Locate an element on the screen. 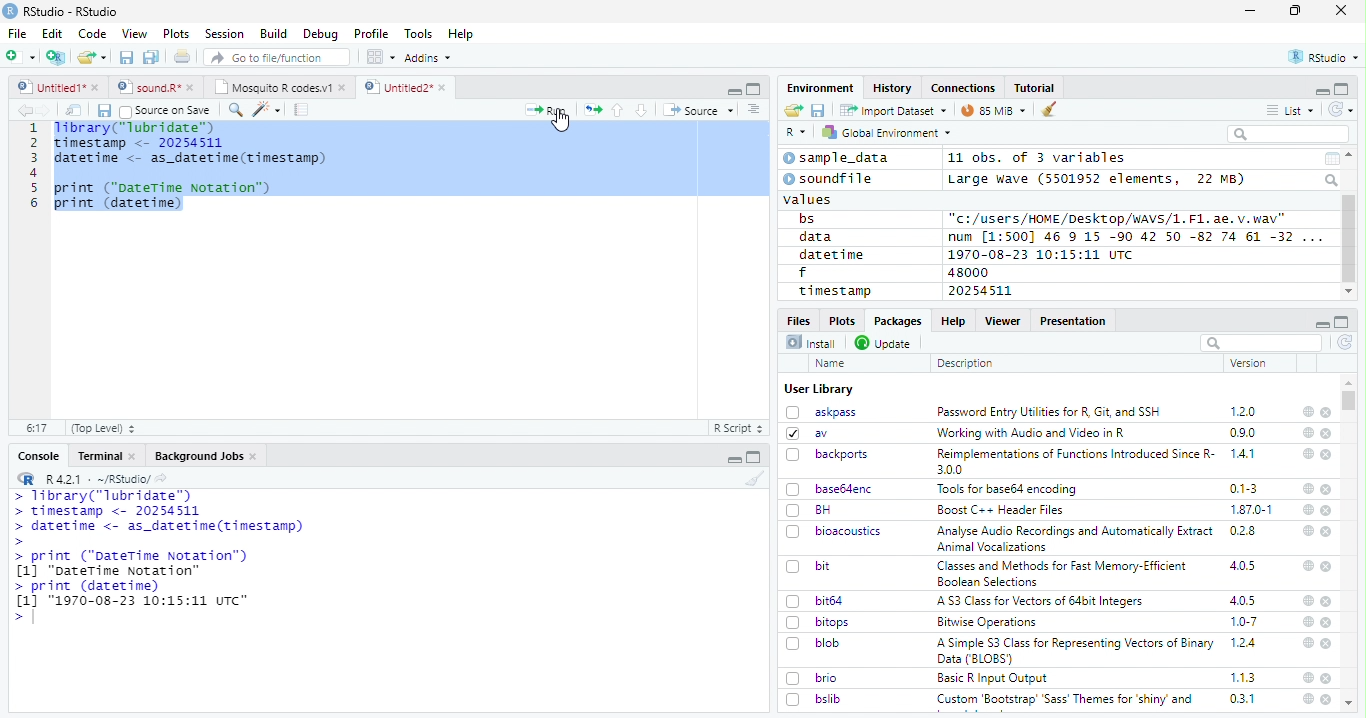 This screenshot has height=718, width=1366. av is located at coordinates (807, 432).